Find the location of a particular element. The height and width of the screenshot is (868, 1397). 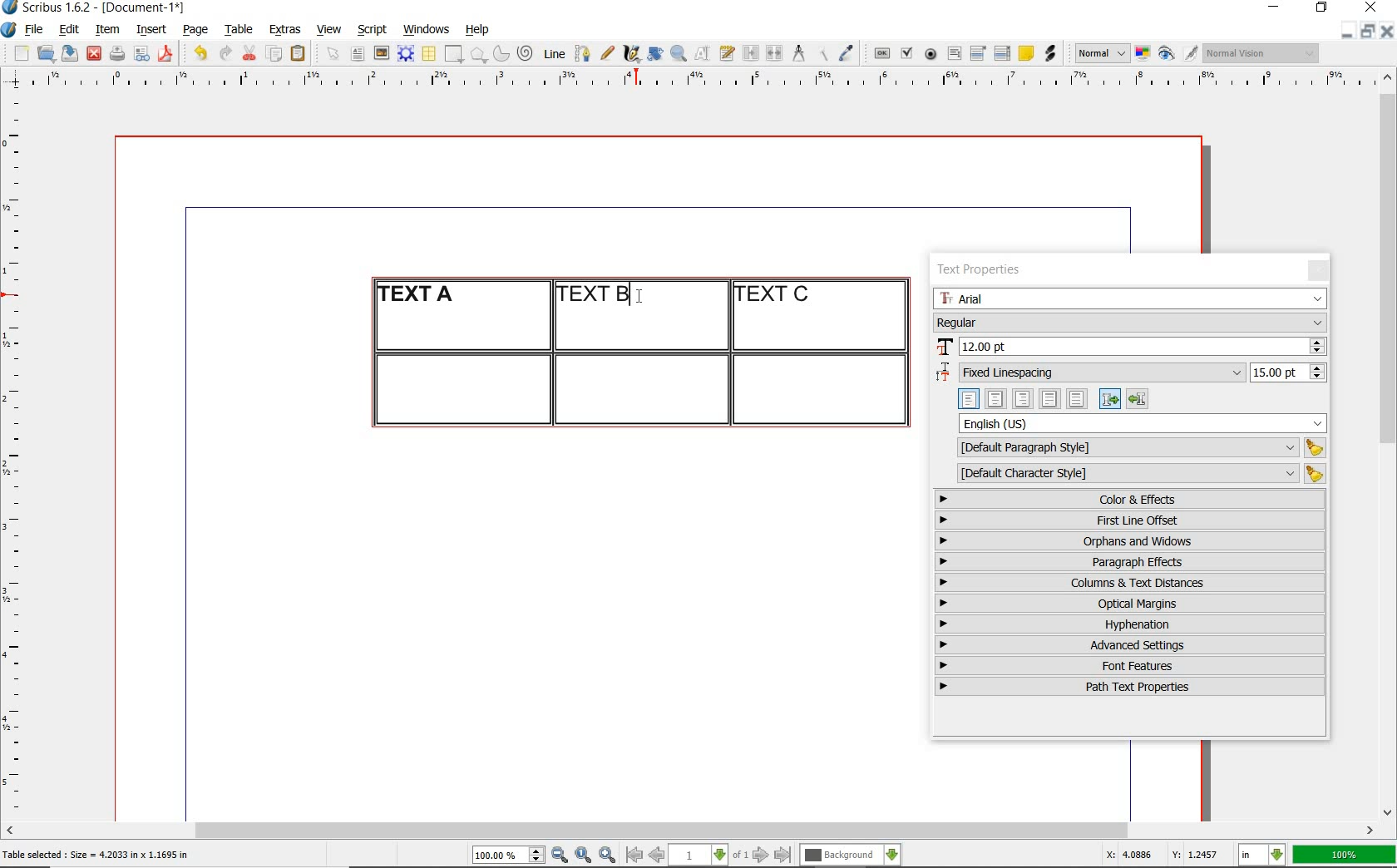

editor is located at coordinates (629, 292).